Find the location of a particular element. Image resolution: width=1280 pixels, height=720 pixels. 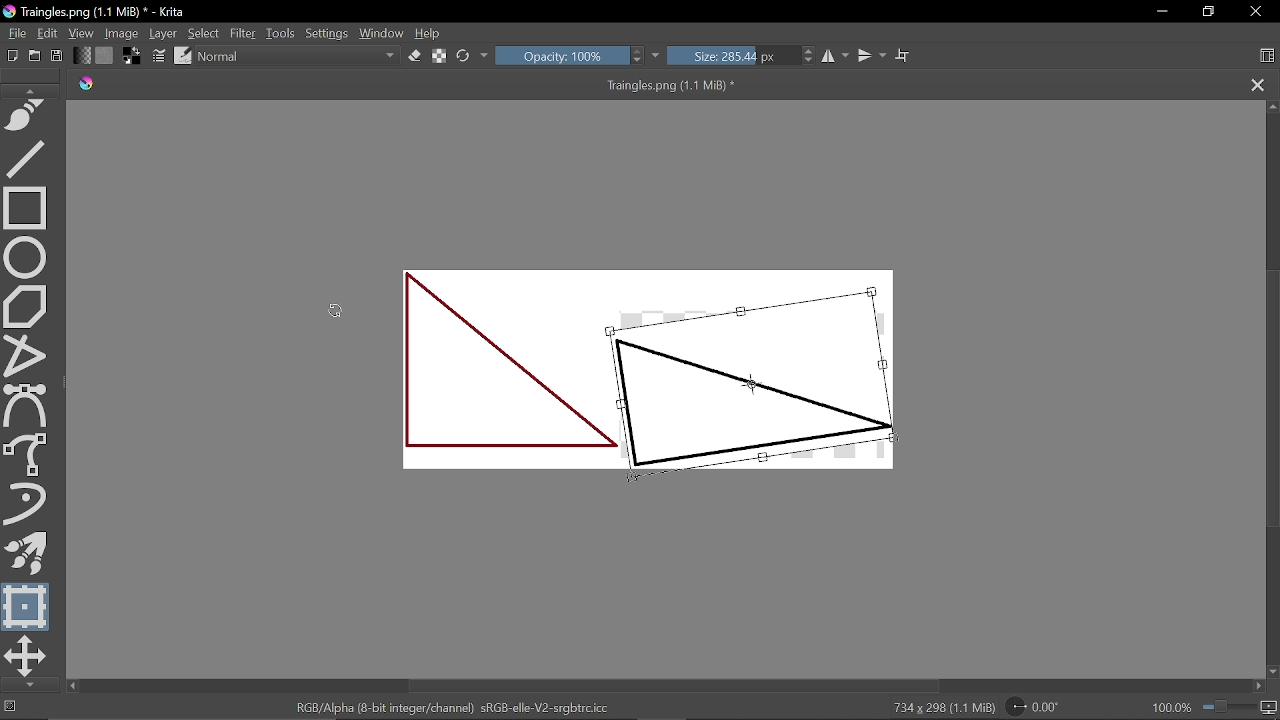

Wrap text tool is located at coordinates (904, 56).